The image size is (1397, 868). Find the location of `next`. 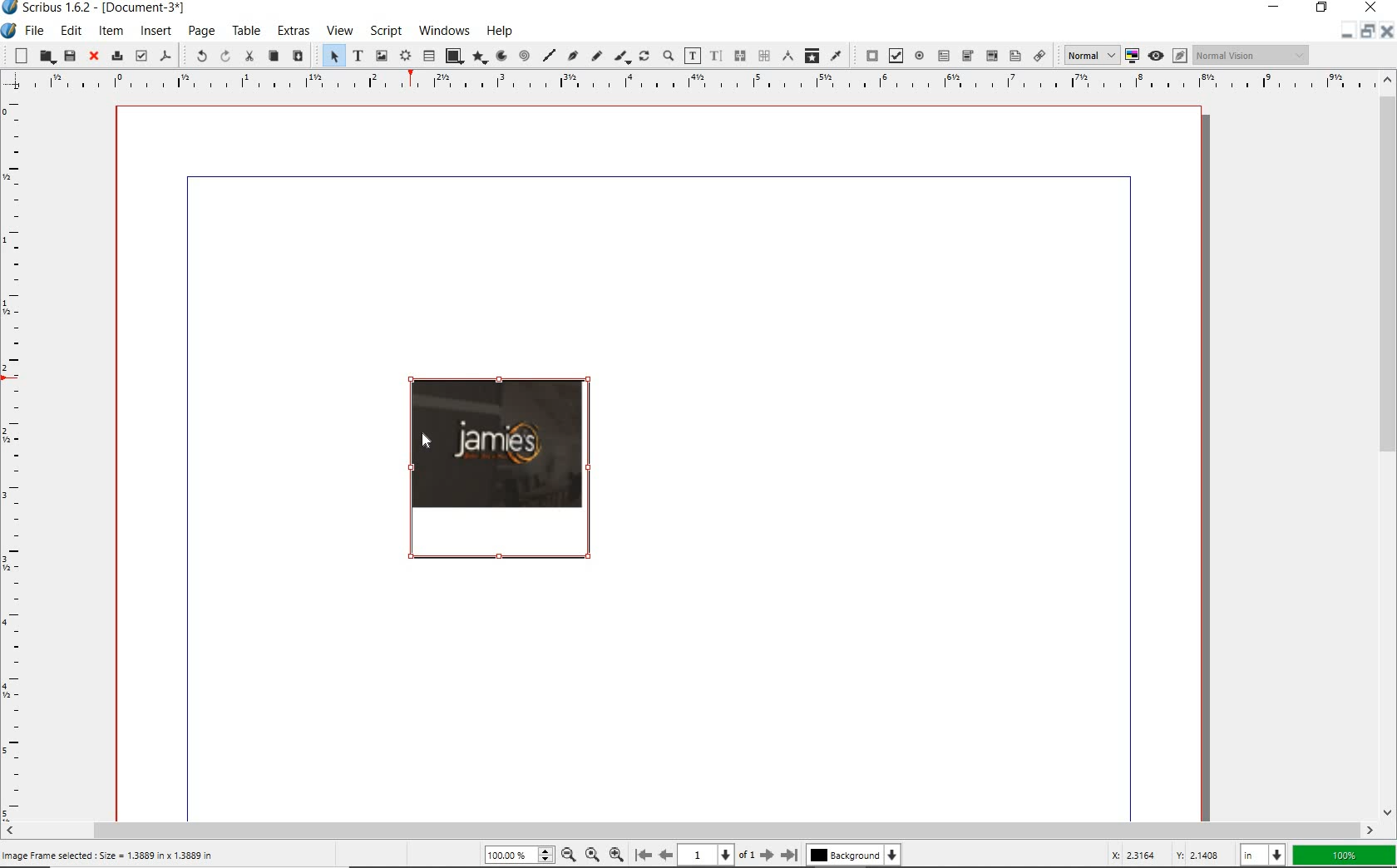

next is located at coordinates (766, 856).